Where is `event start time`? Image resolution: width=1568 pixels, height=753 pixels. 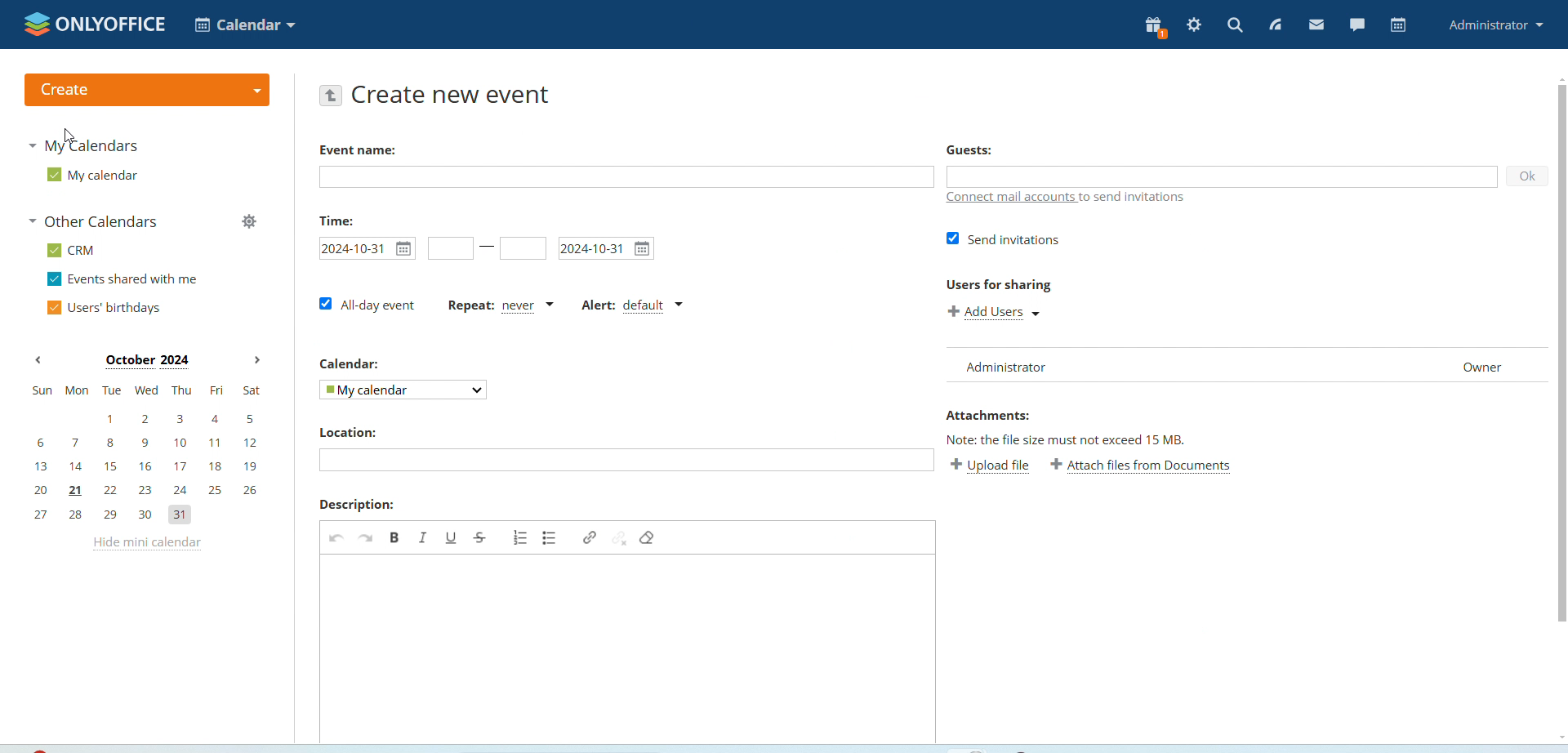
event start time is located at coordinates (450, 247).